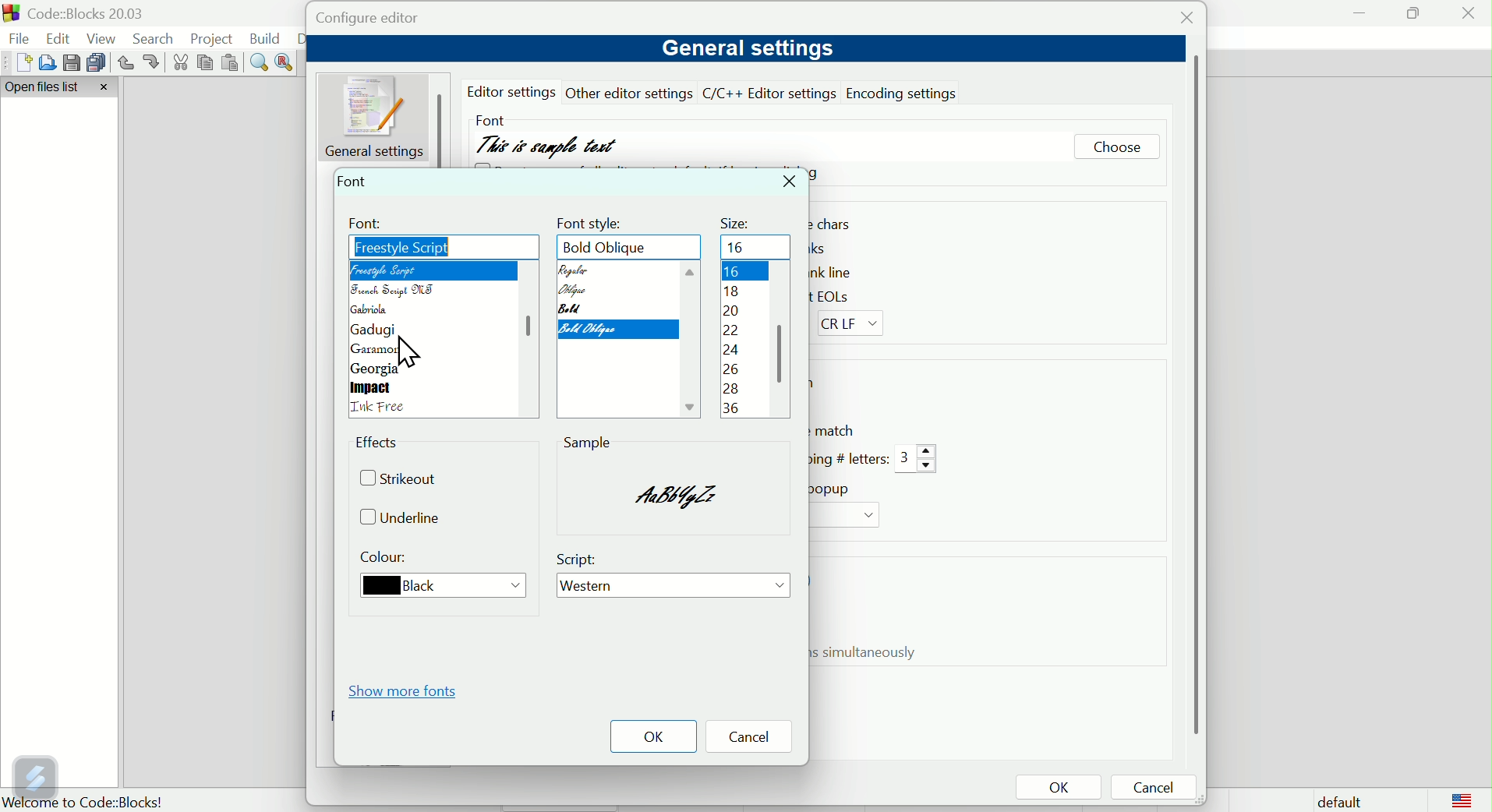  I want to click on 3, so click(917, 460).